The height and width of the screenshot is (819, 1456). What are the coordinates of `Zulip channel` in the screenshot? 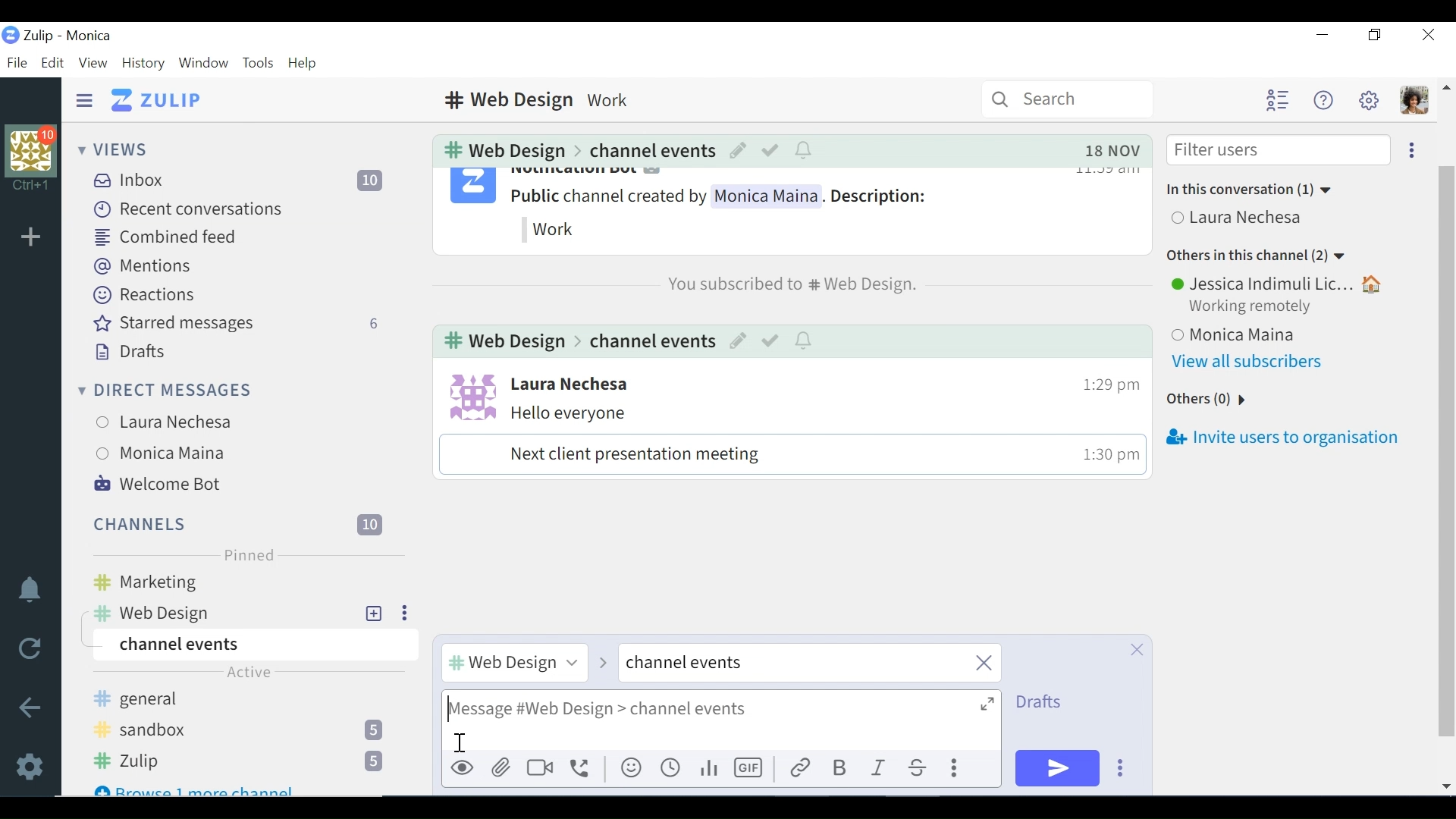 It's located at (248, 762).